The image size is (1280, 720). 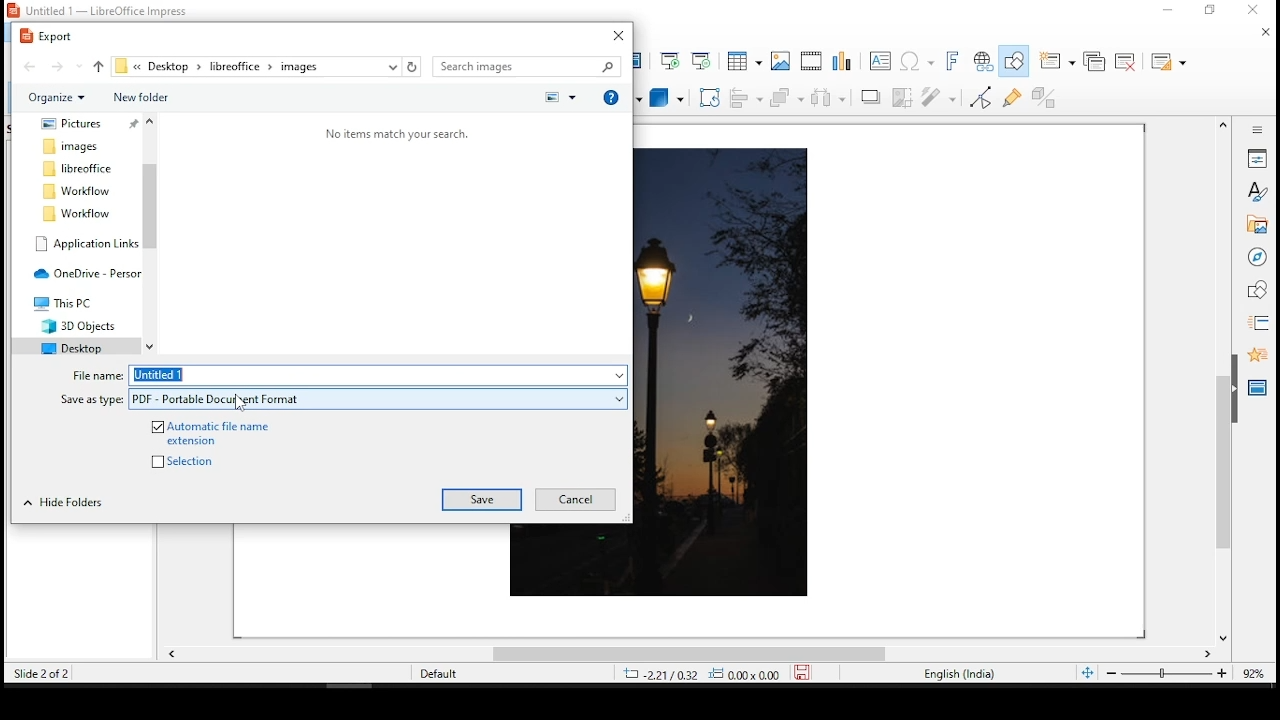 I want to click on Default, so click(x=439, y=673).